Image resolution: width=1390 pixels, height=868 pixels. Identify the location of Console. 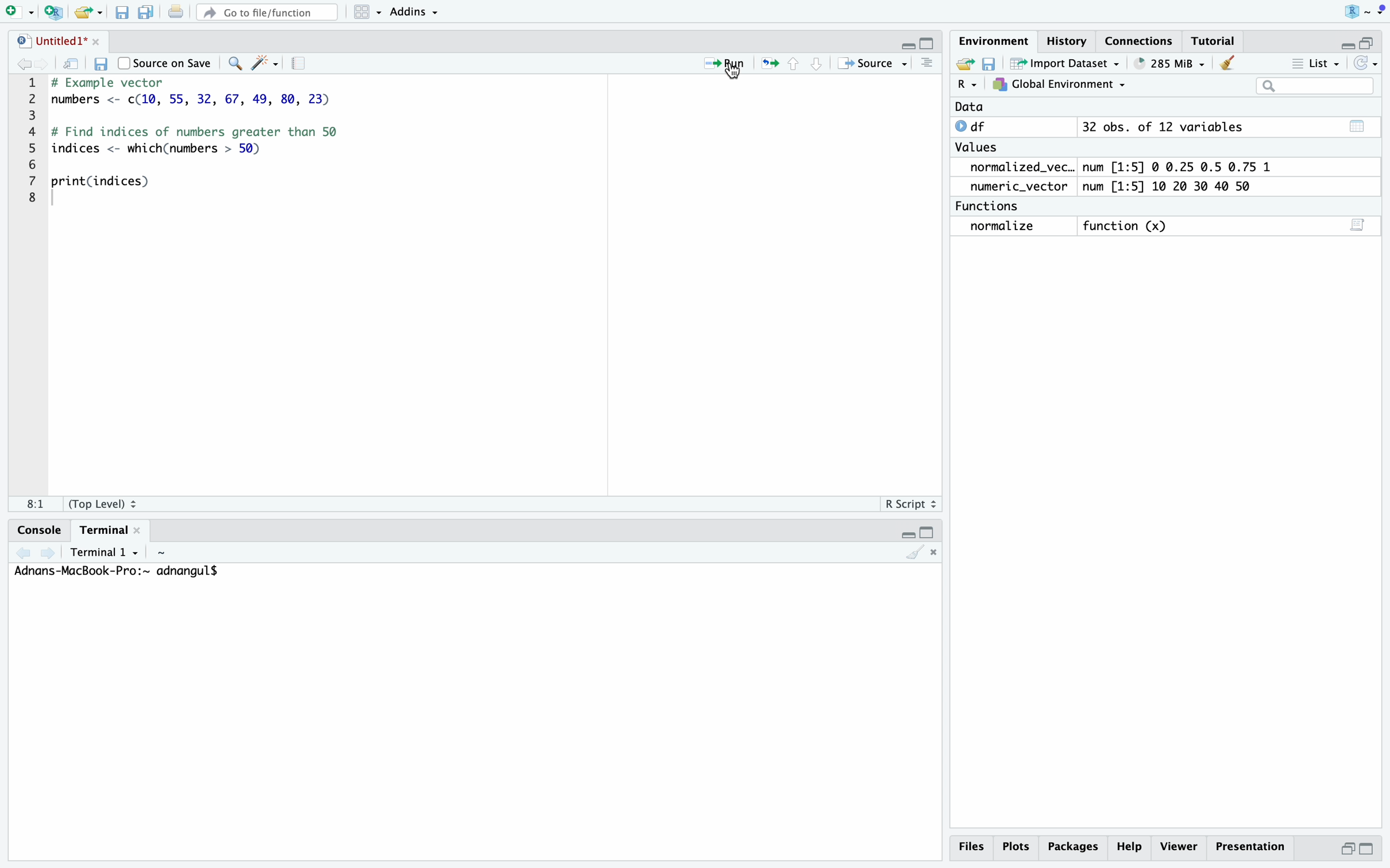
(32, 529).